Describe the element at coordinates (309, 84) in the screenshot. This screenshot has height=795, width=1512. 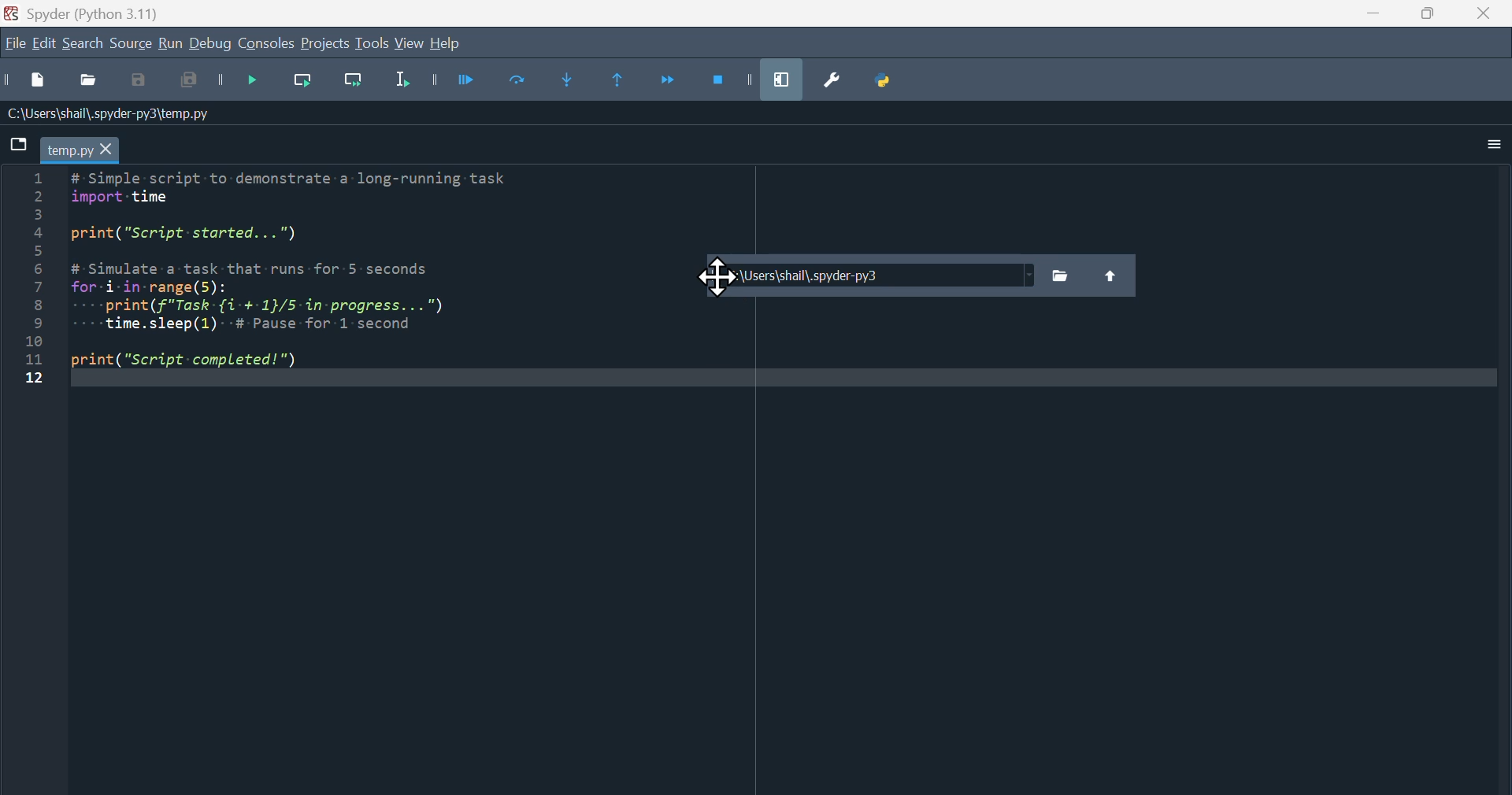
I see `Run current line` at that location.